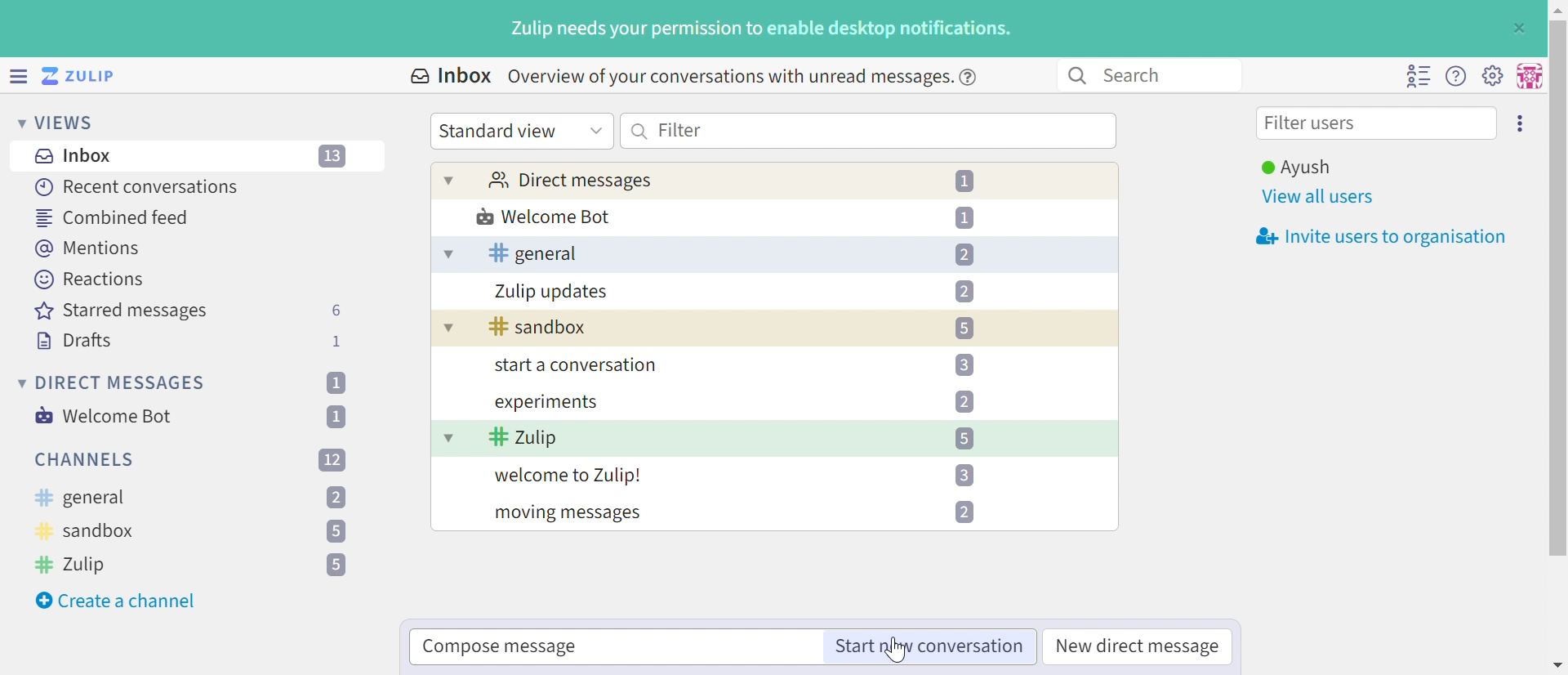 The height and width of the screenshot is (675, 1568). Describe the element at coordinates (334, 157) in the screenshot. I see `13` at that location.